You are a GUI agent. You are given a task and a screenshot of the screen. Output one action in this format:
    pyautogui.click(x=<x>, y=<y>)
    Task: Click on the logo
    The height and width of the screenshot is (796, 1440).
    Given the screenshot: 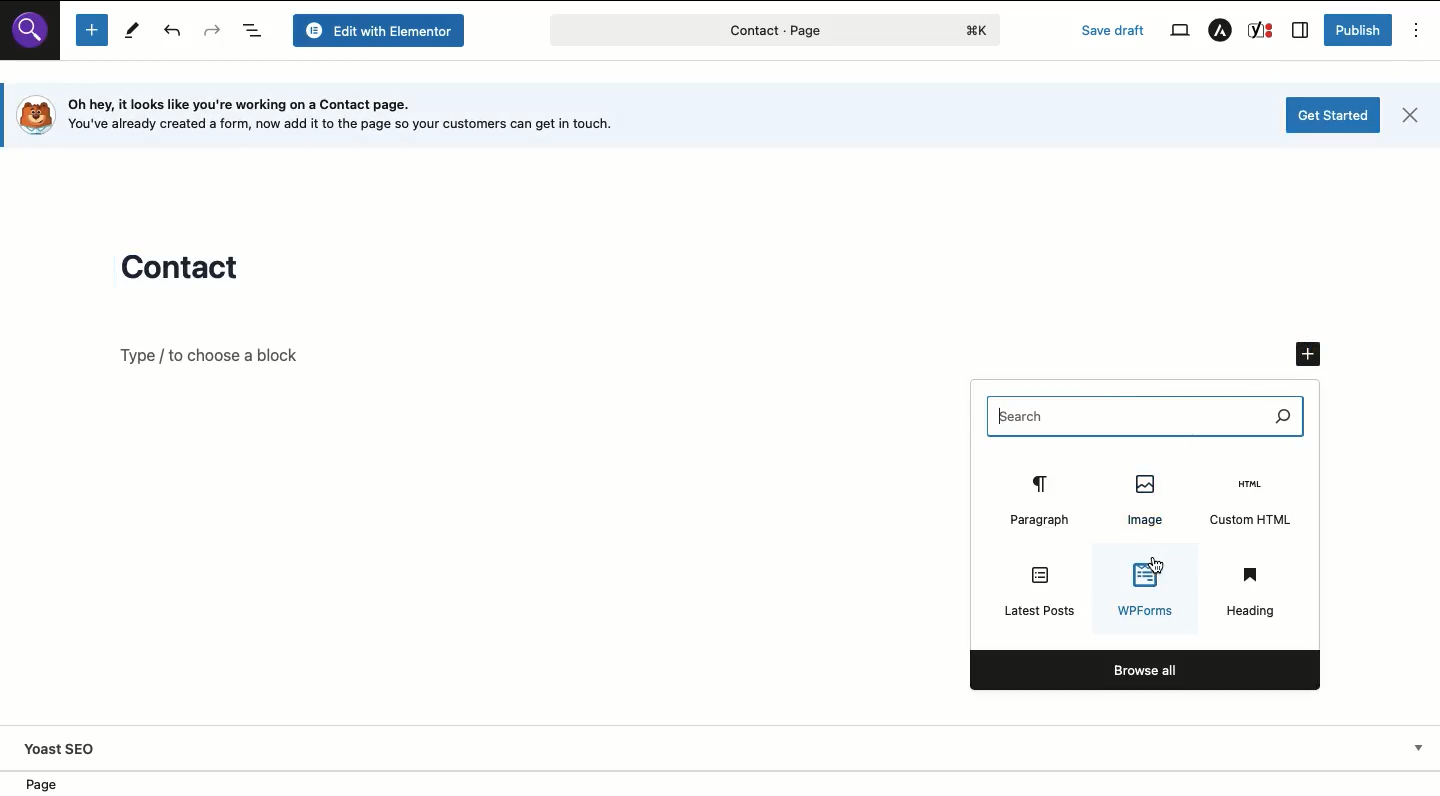 What is the action you would take?
    pyautogui.click(x=33, y=115)
    